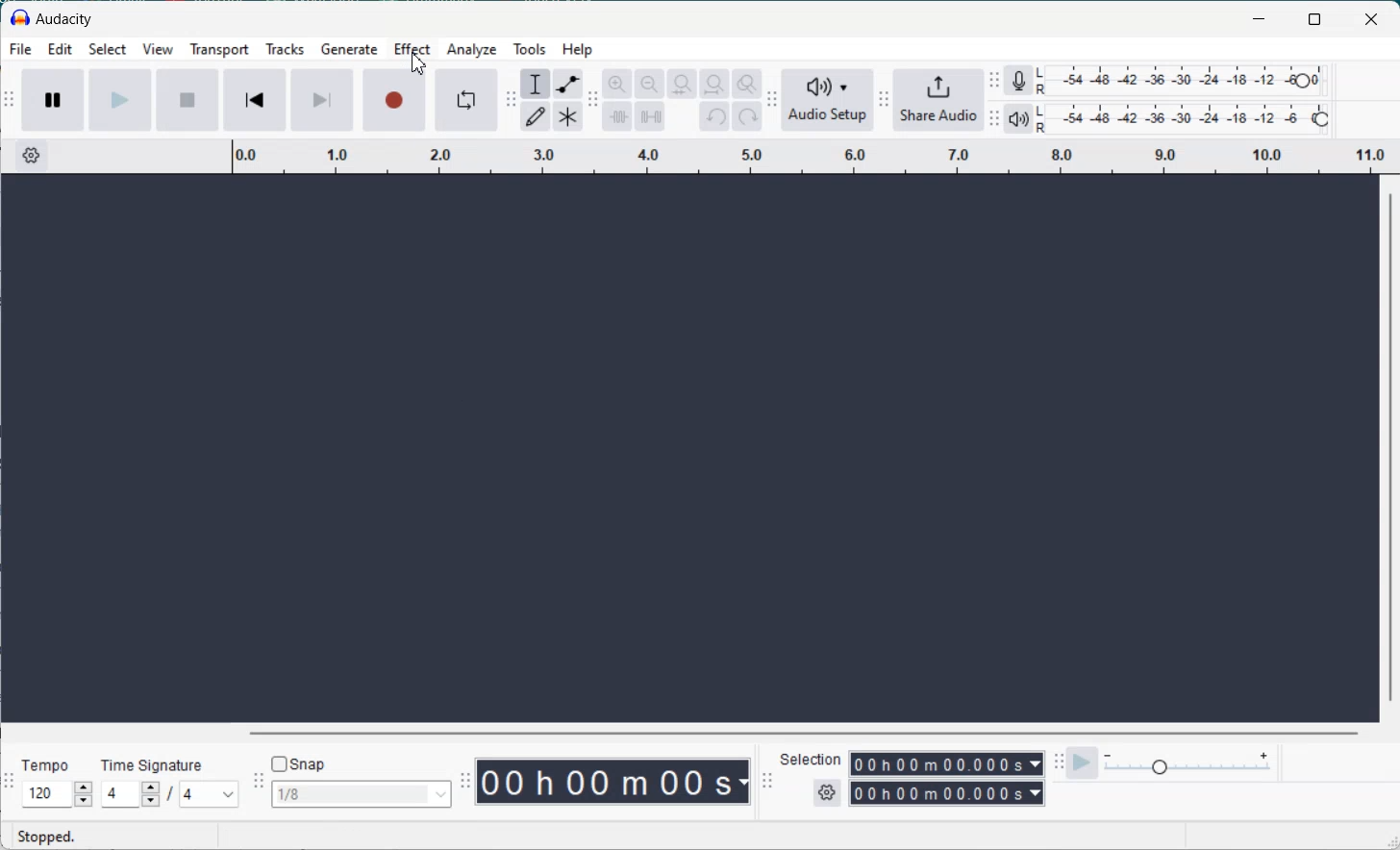 The width and height of the screenshot is (1400, 850). What do you see at coordinates (651, 117) in the screenshot?
I see `Silence audio selection` at bounding box center [651, 117].